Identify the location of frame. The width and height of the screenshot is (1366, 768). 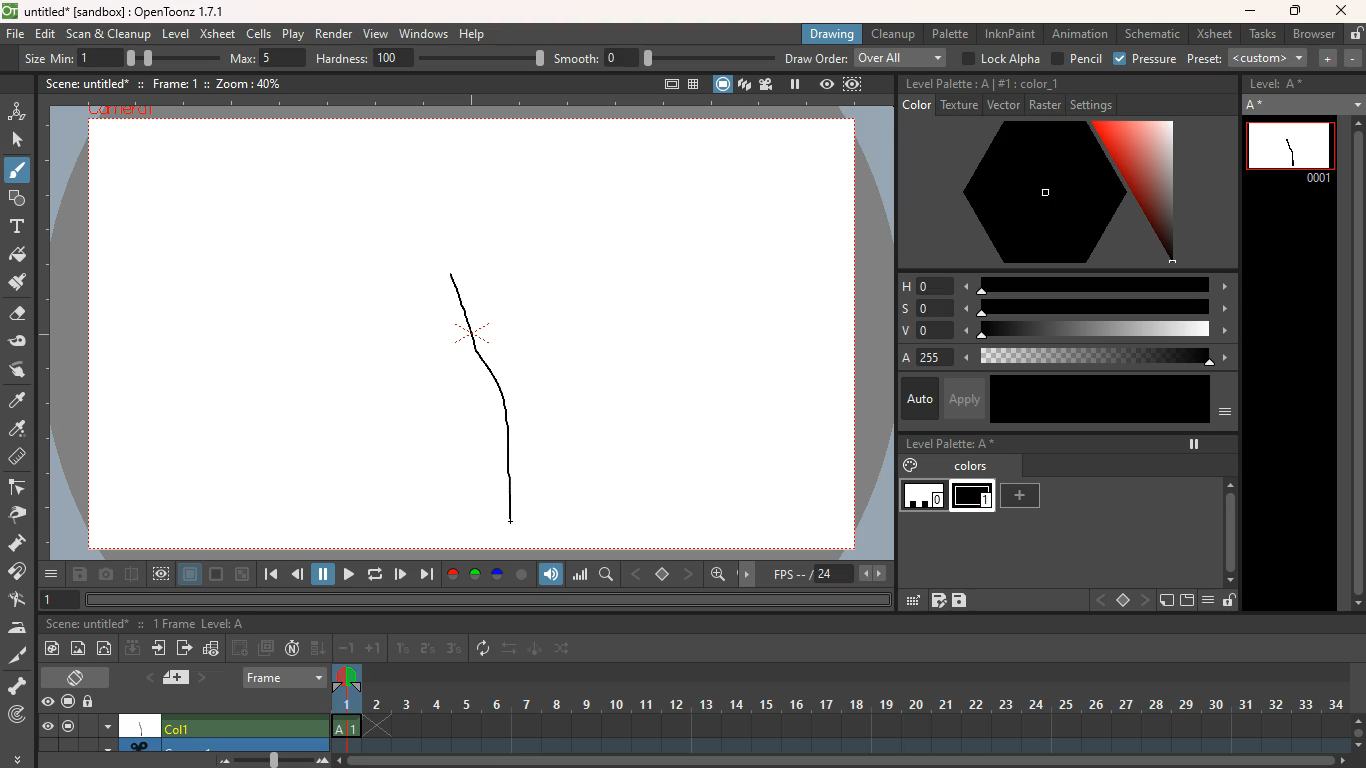
(285, 675).